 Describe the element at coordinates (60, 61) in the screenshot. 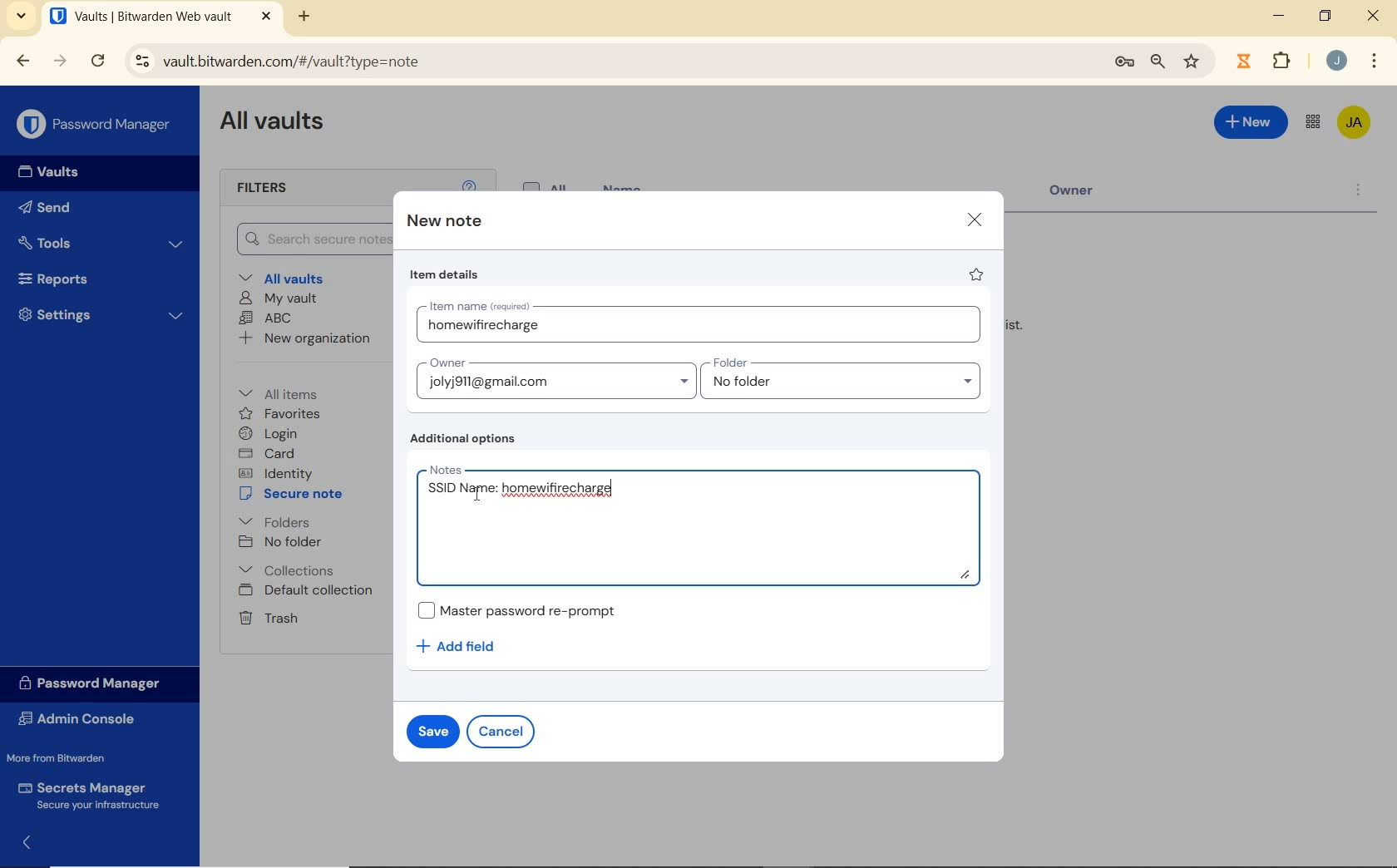

I see `forward` at that location.